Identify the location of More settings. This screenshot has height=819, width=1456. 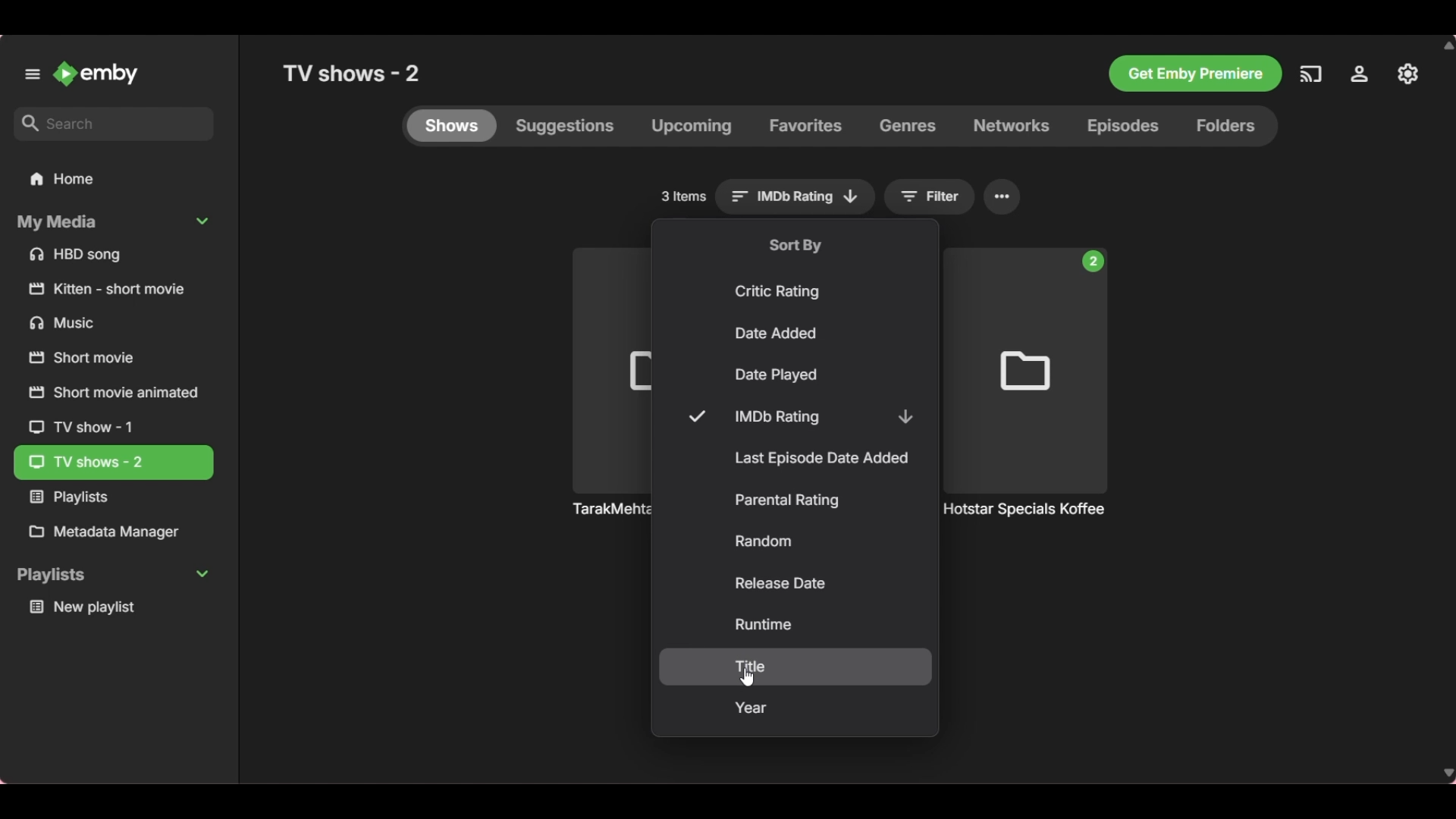
(1003, 197).